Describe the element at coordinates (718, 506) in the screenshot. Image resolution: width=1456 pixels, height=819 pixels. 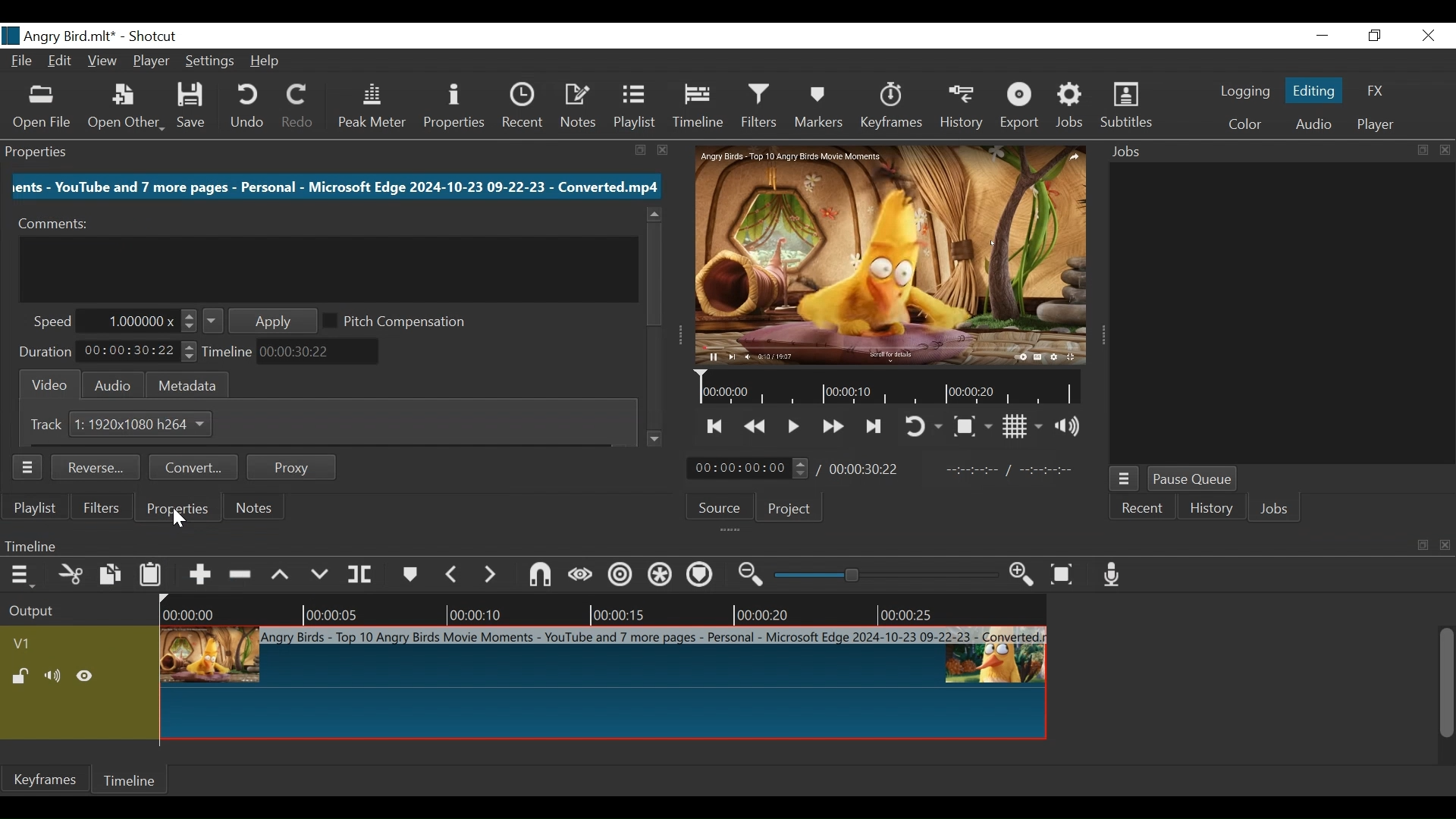
I see `Source` at that location.